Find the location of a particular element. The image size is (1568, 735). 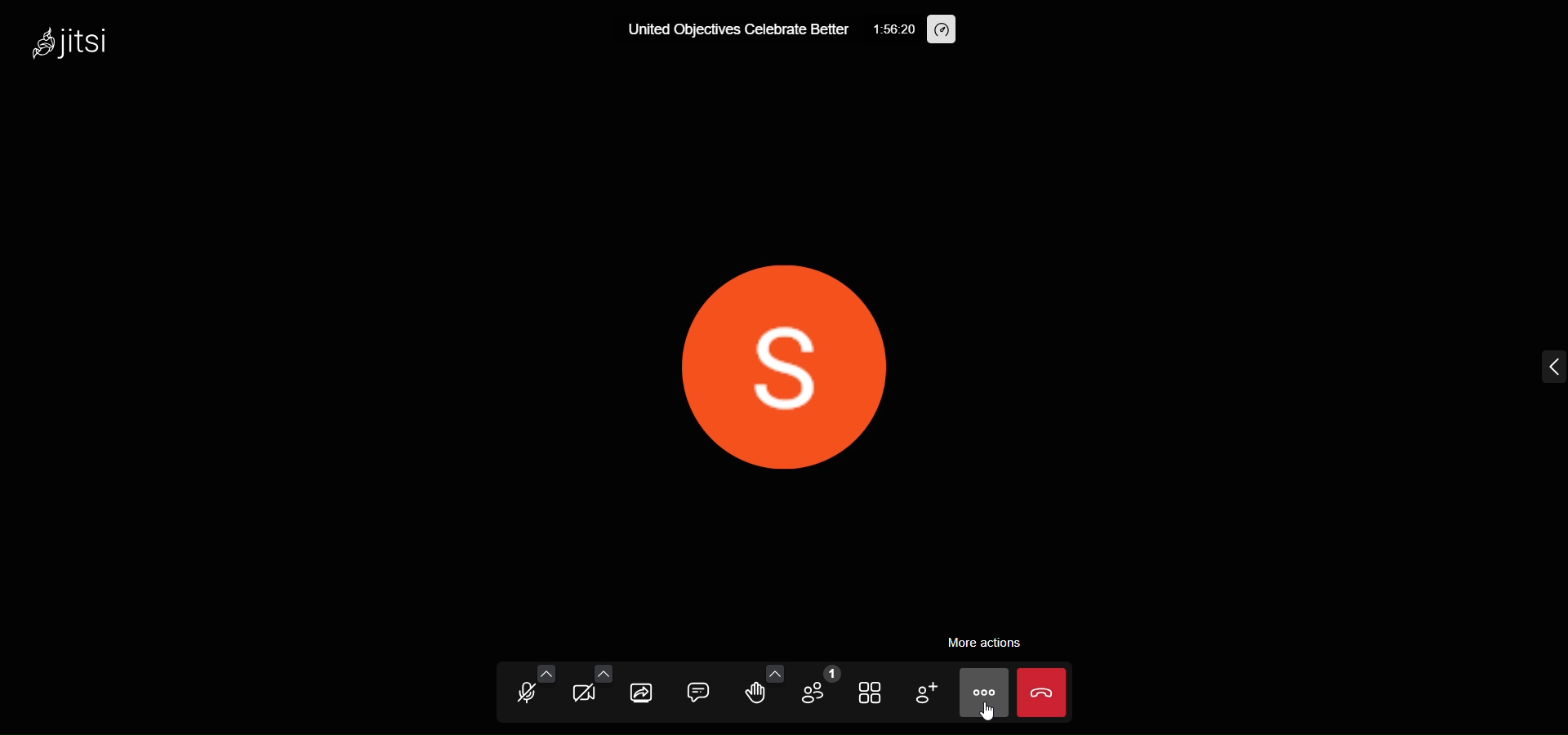

display picture is located at coordinates (790, 356).